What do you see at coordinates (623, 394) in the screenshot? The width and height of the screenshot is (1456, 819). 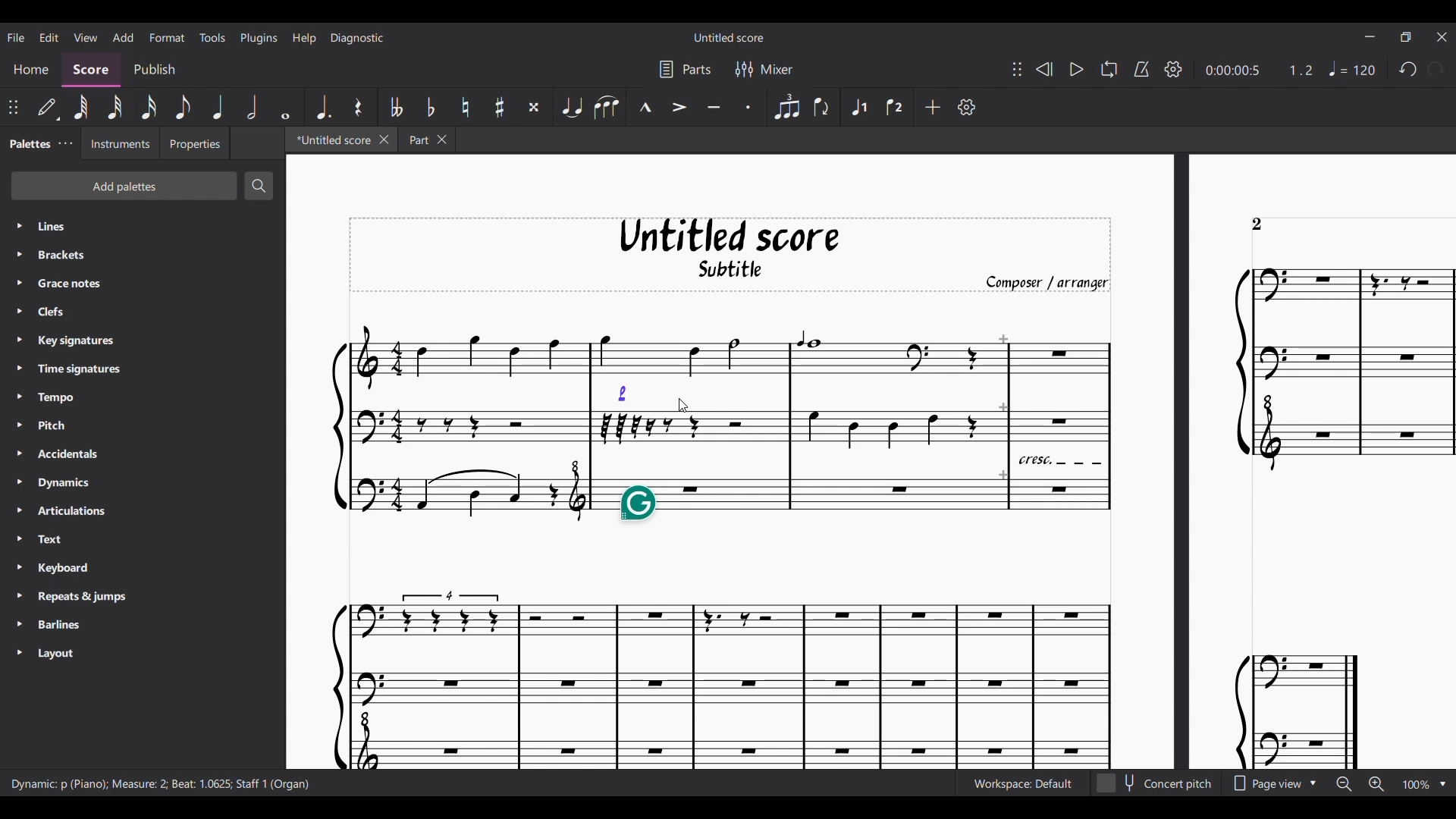 I see `Dynamic marking attached to new position` at bounding box center [623, 394].